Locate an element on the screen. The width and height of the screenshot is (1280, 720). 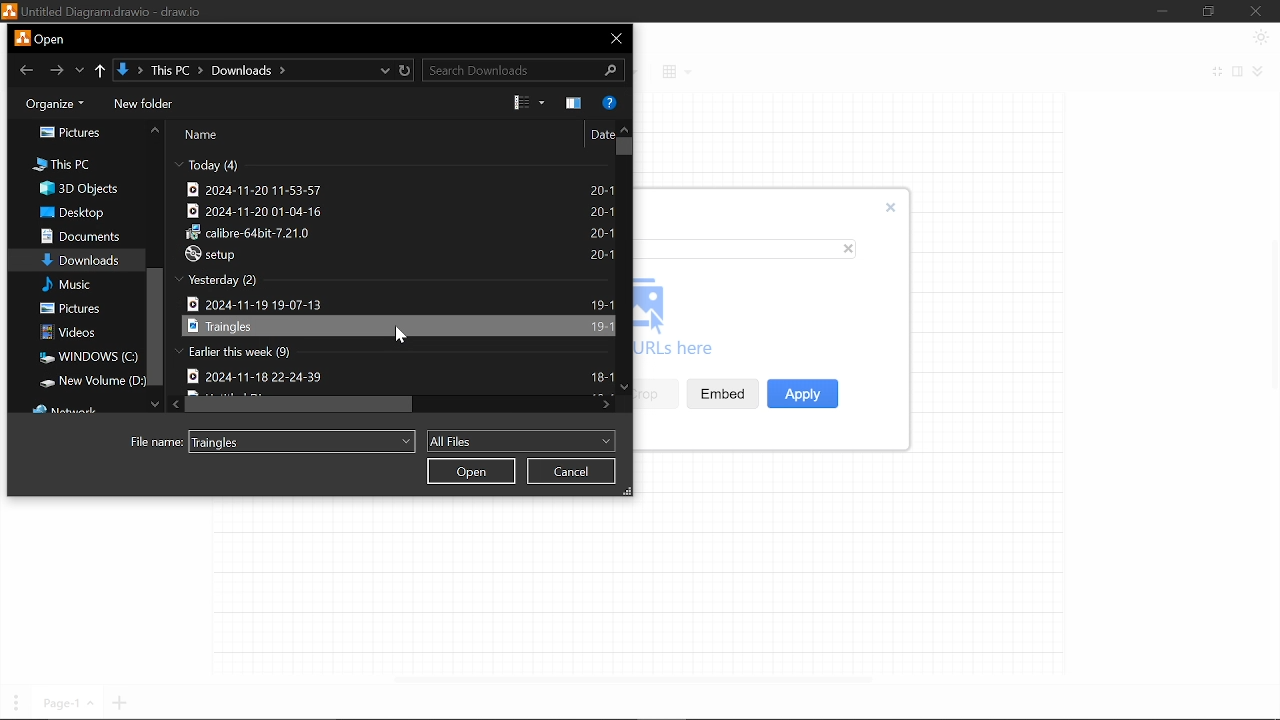
Go back is located at coordinates (23, 70).